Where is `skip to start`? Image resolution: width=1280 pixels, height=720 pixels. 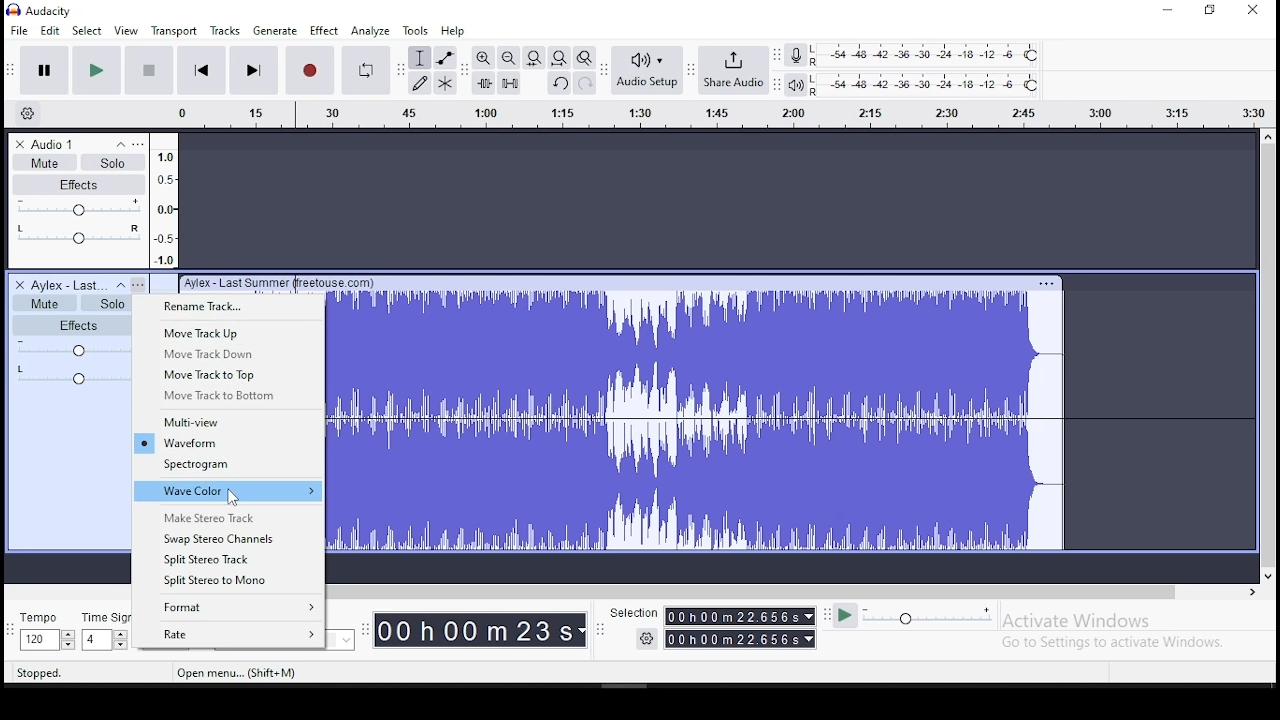 skip to start is located at coordinates (199, 70).